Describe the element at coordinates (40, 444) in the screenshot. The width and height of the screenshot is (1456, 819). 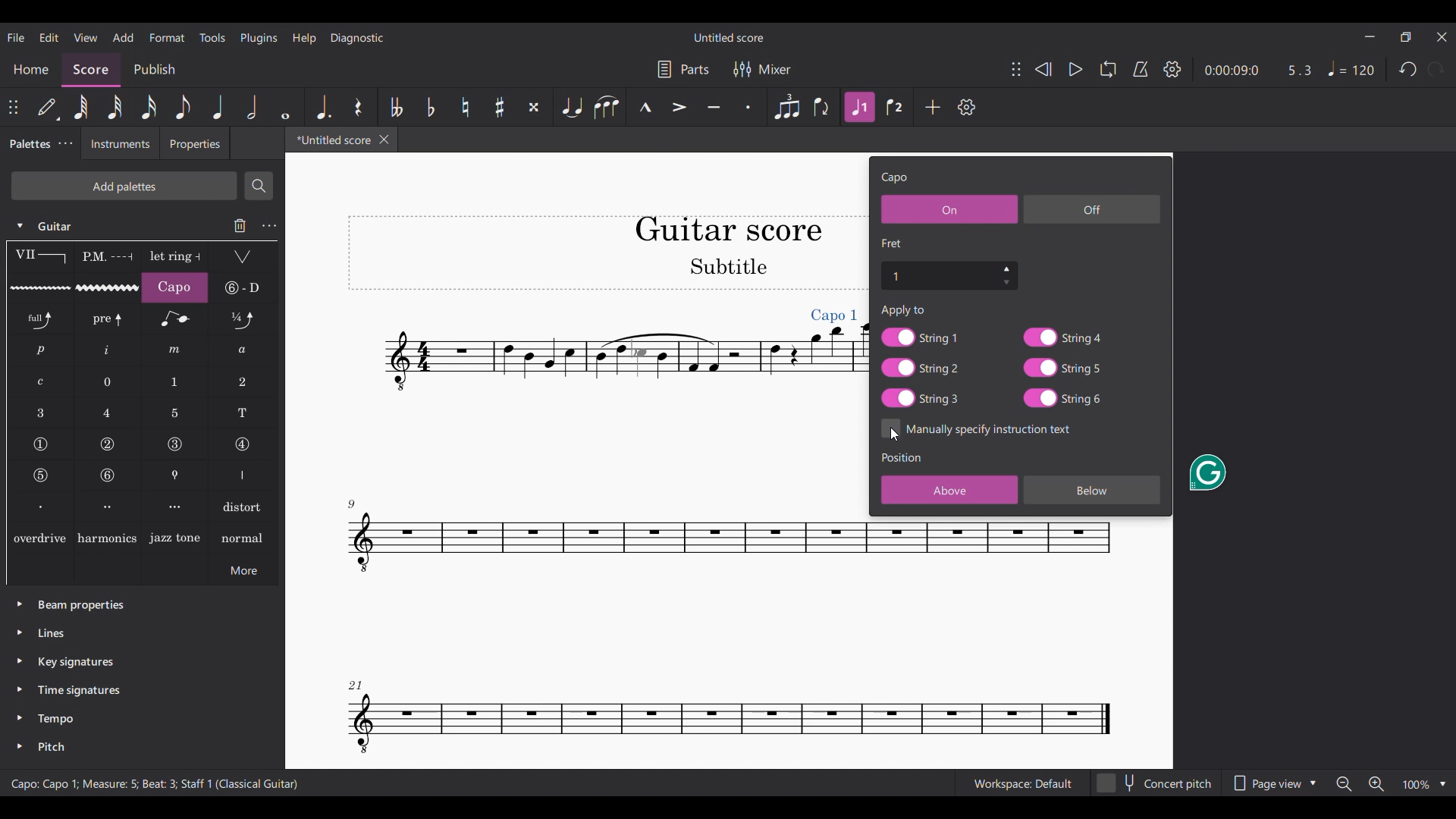
I see `String number 1` at that location.